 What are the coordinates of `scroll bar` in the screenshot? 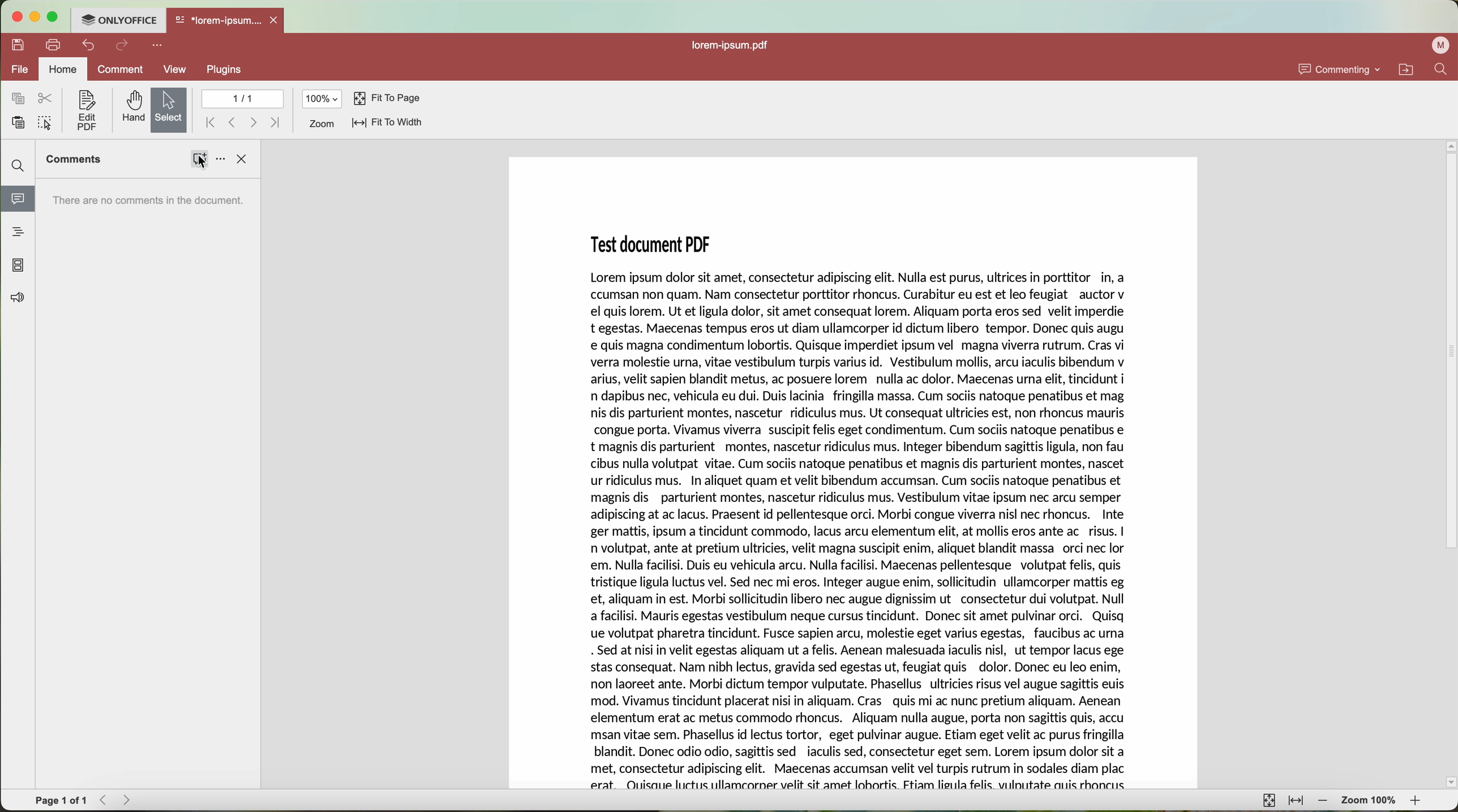 It's located at (1449, 464).